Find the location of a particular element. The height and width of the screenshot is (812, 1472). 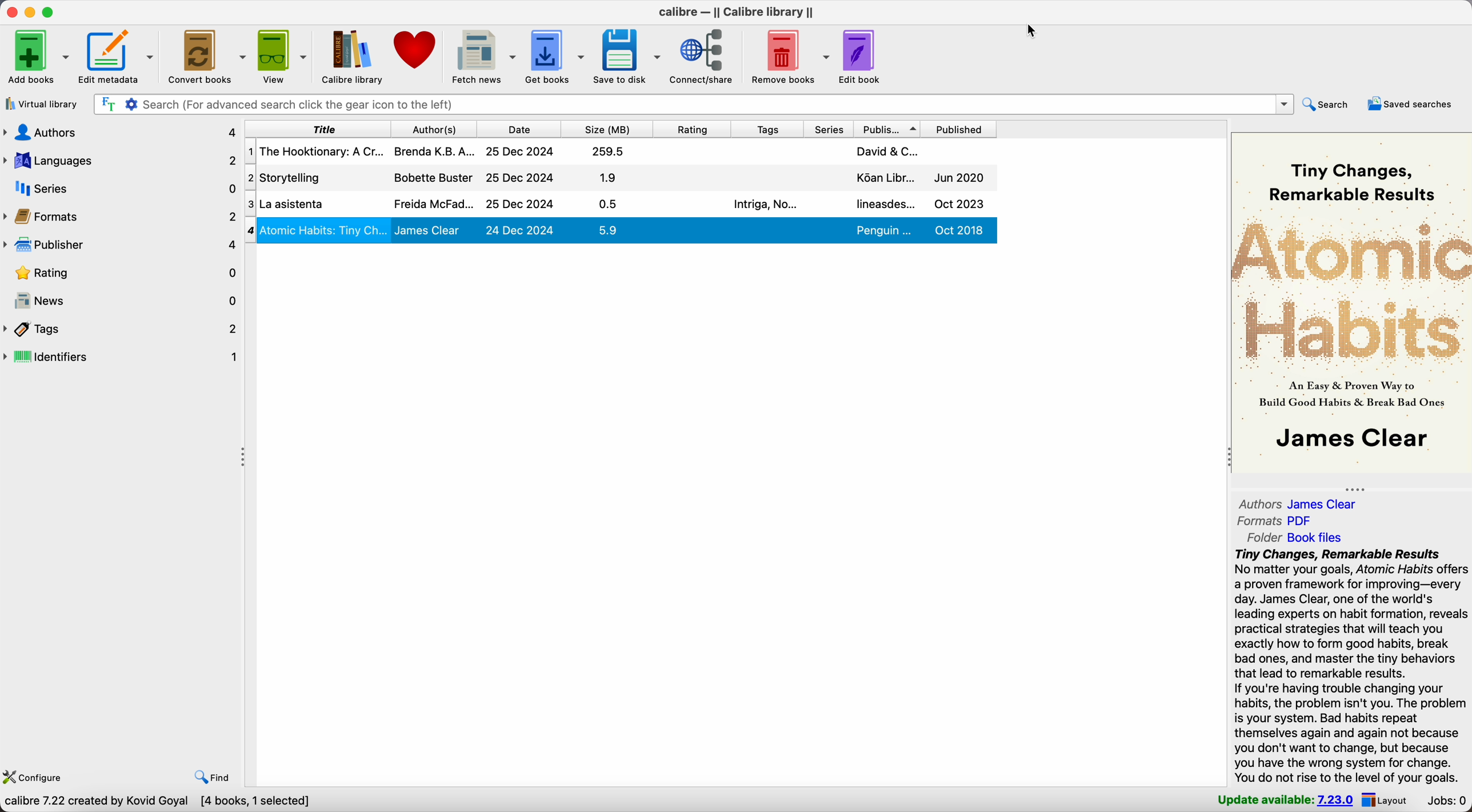

edit metadata is located at coordinates (119, 57).